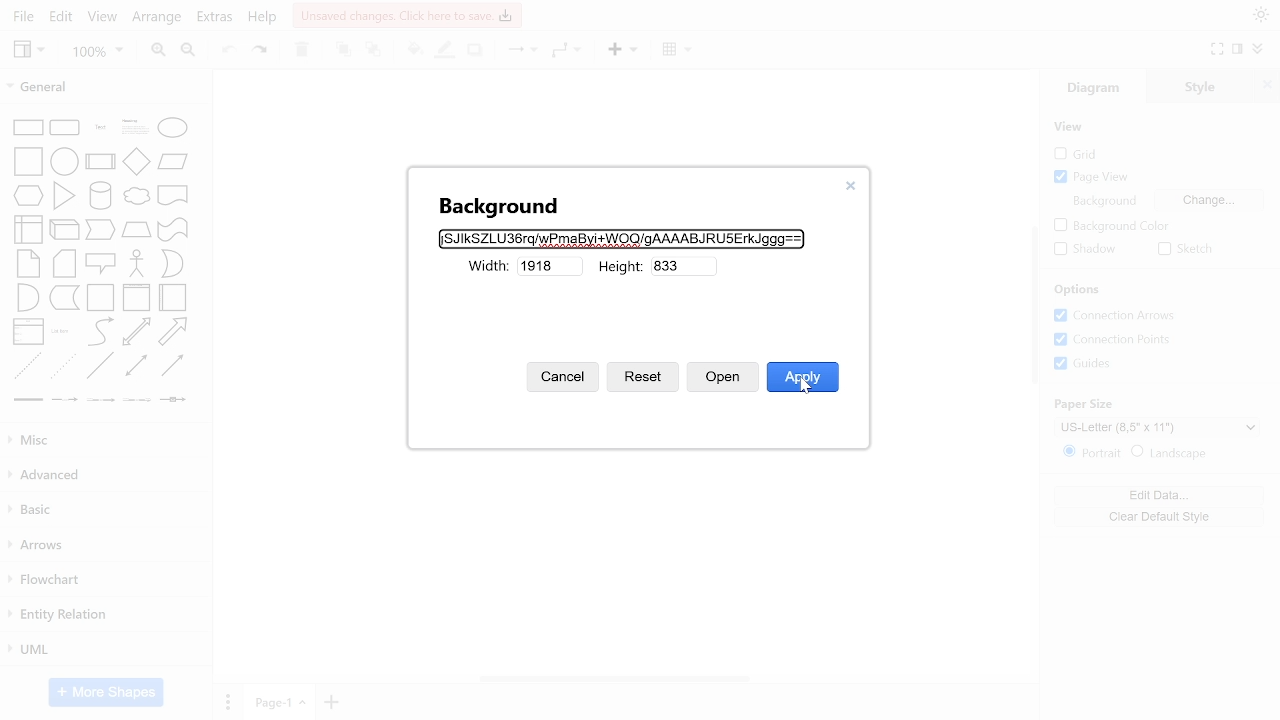  I want to click on general shapes, so click(26, 160).